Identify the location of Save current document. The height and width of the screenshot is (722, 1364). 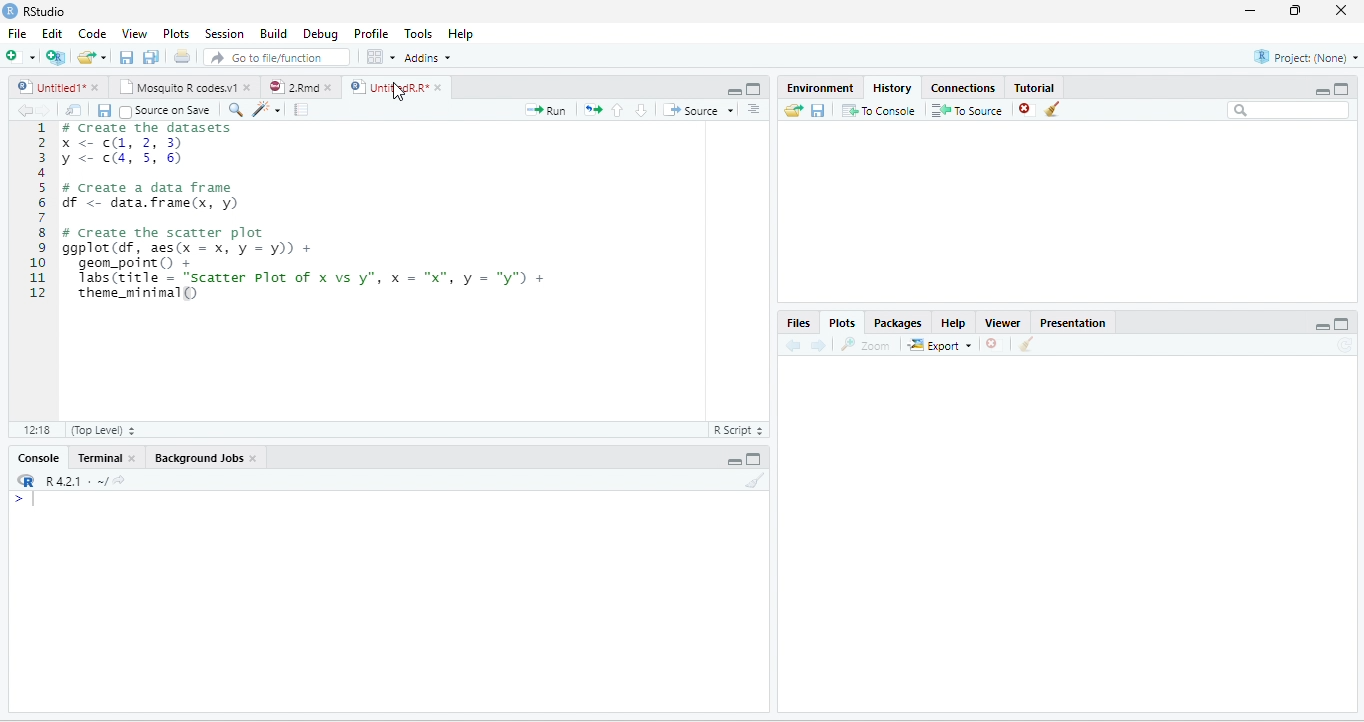
(104, 111).